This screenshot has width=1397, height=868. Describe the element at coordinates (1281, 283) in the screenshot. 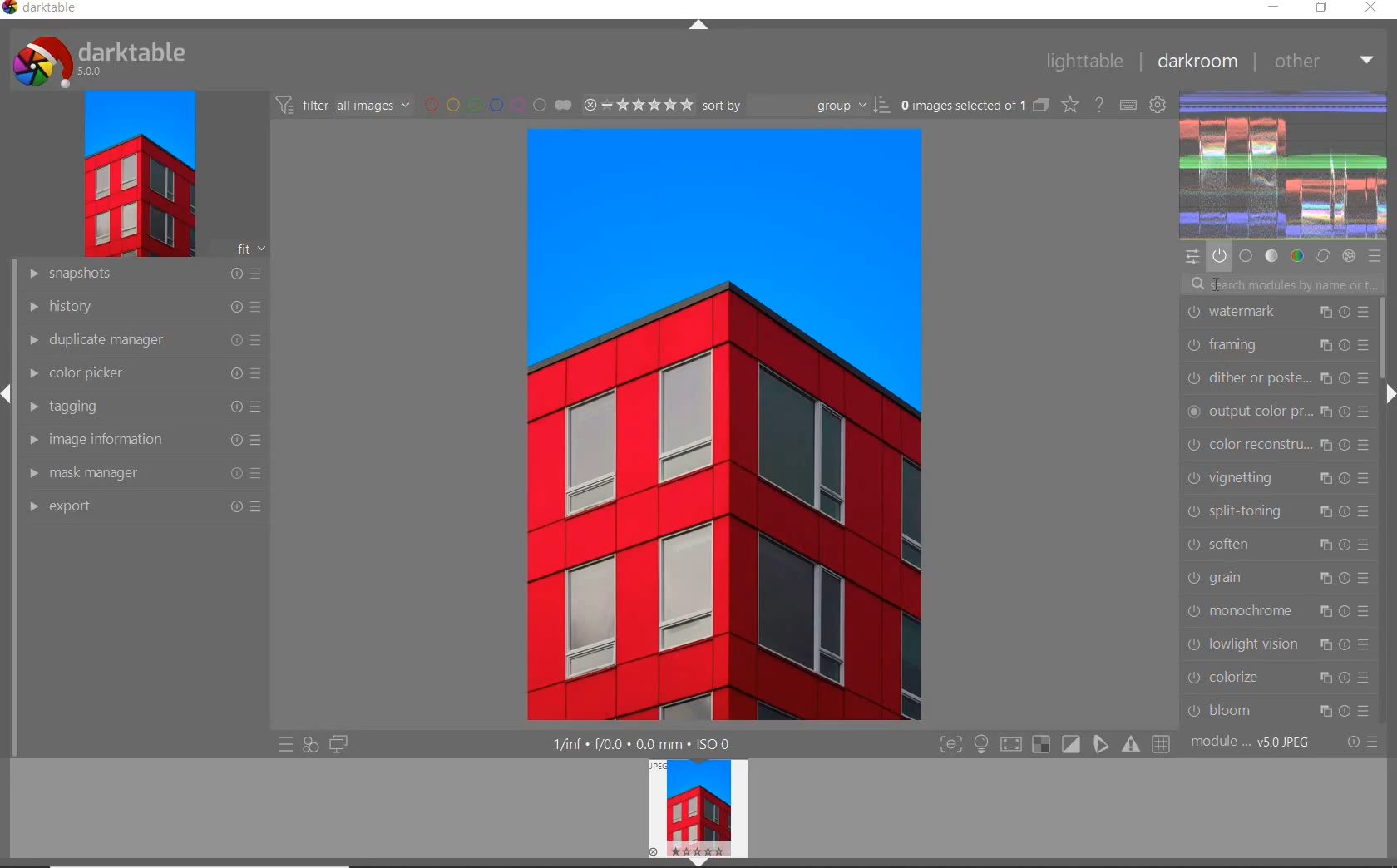

I see `search modules` at that location.